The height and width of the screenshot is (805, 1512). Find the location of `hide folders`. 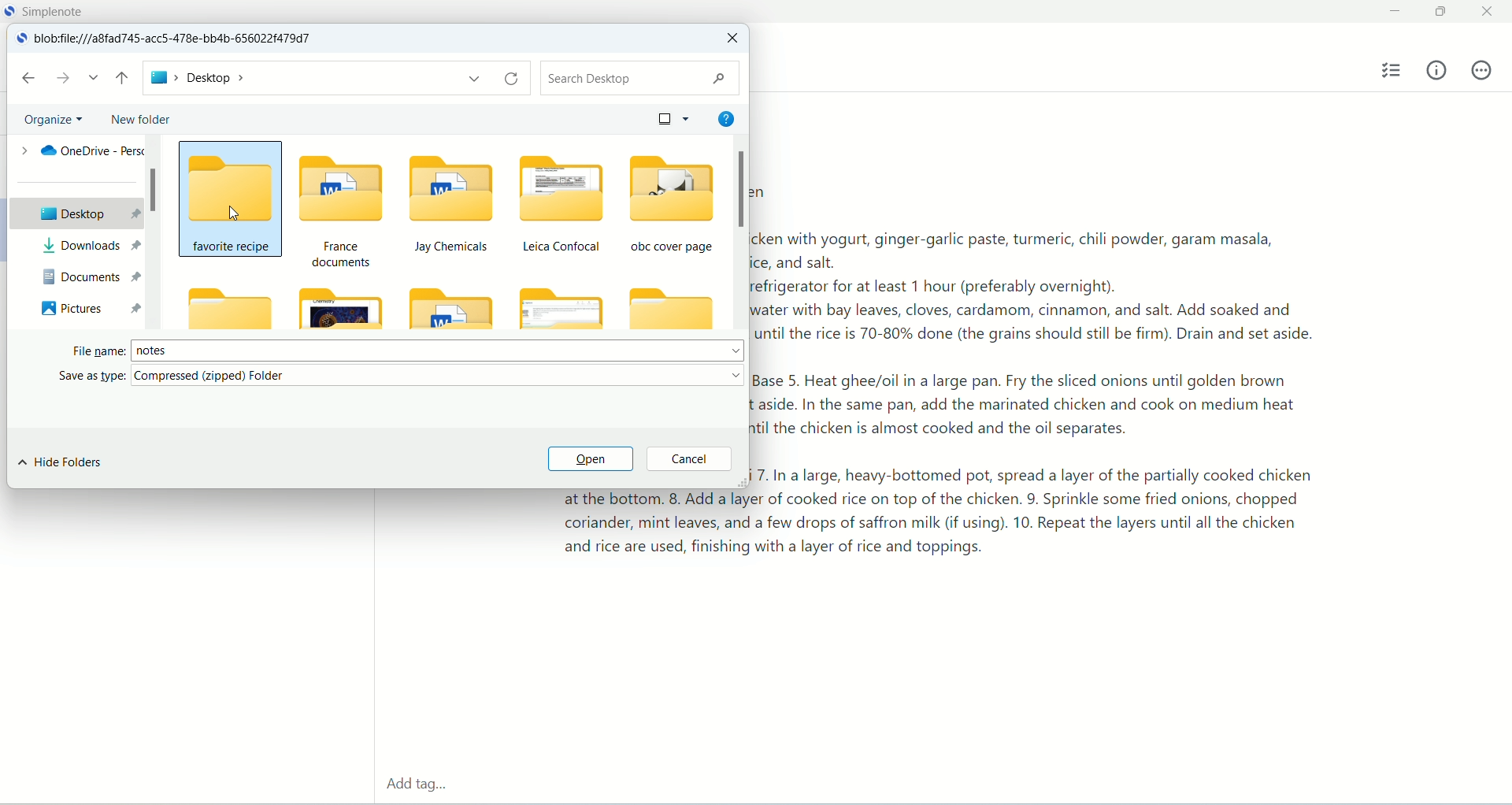

hide folders is located at coordinates (61, 463).